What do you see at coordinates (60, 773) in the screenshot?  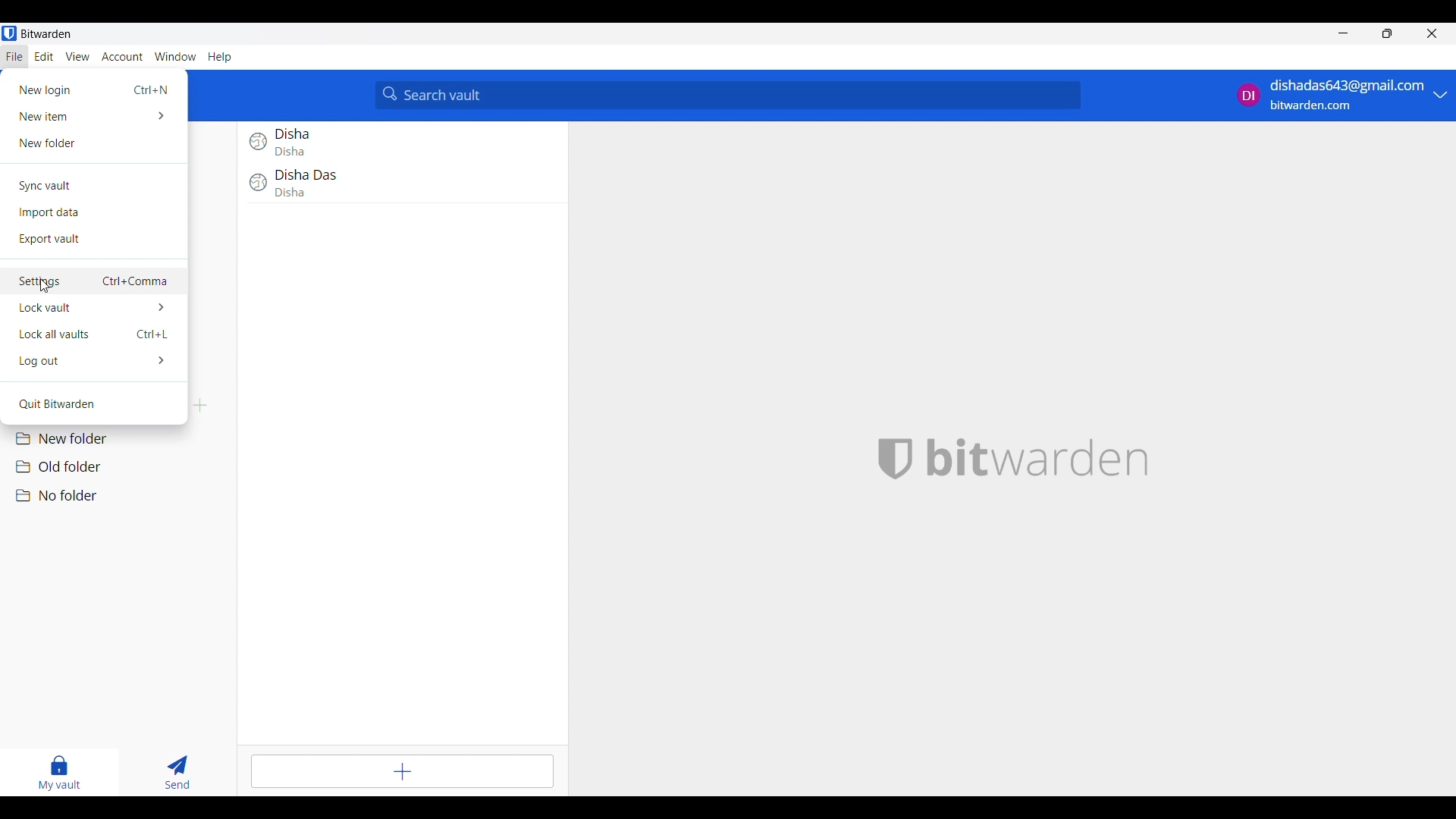 I see `My vault` at bounding box center [60, 773].